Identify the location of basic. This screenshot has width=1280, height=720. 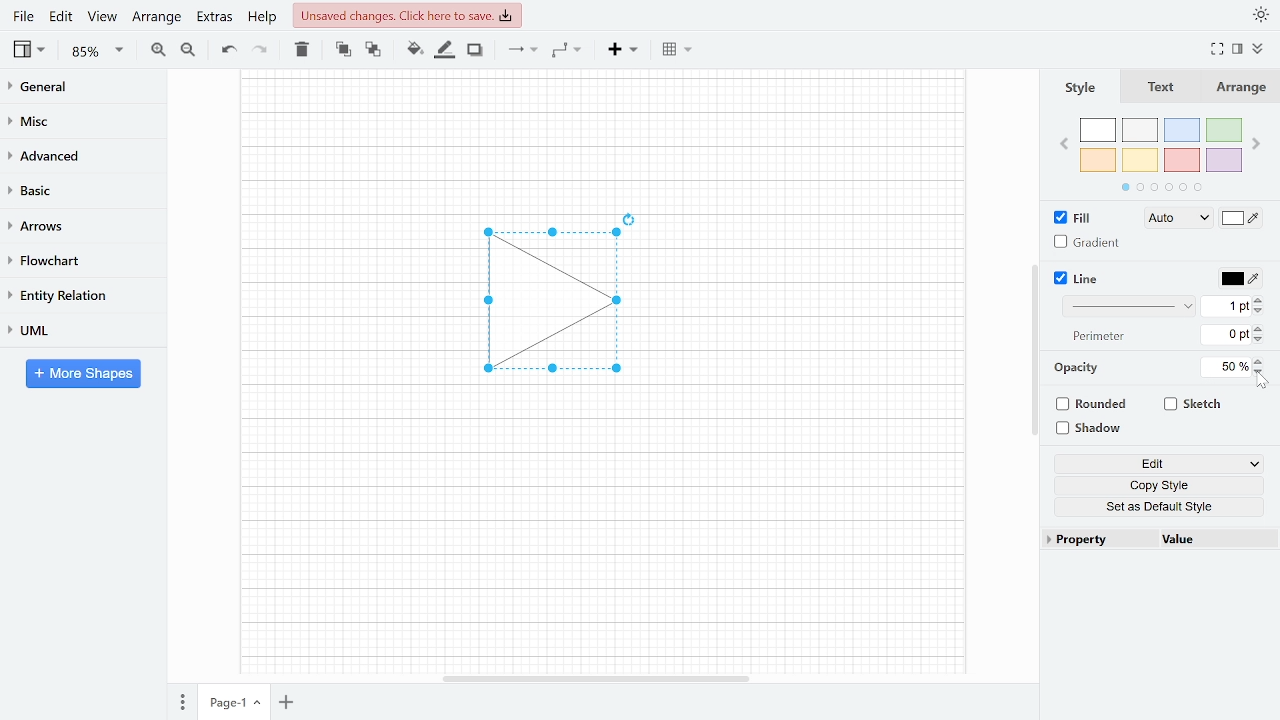
(76, 189).